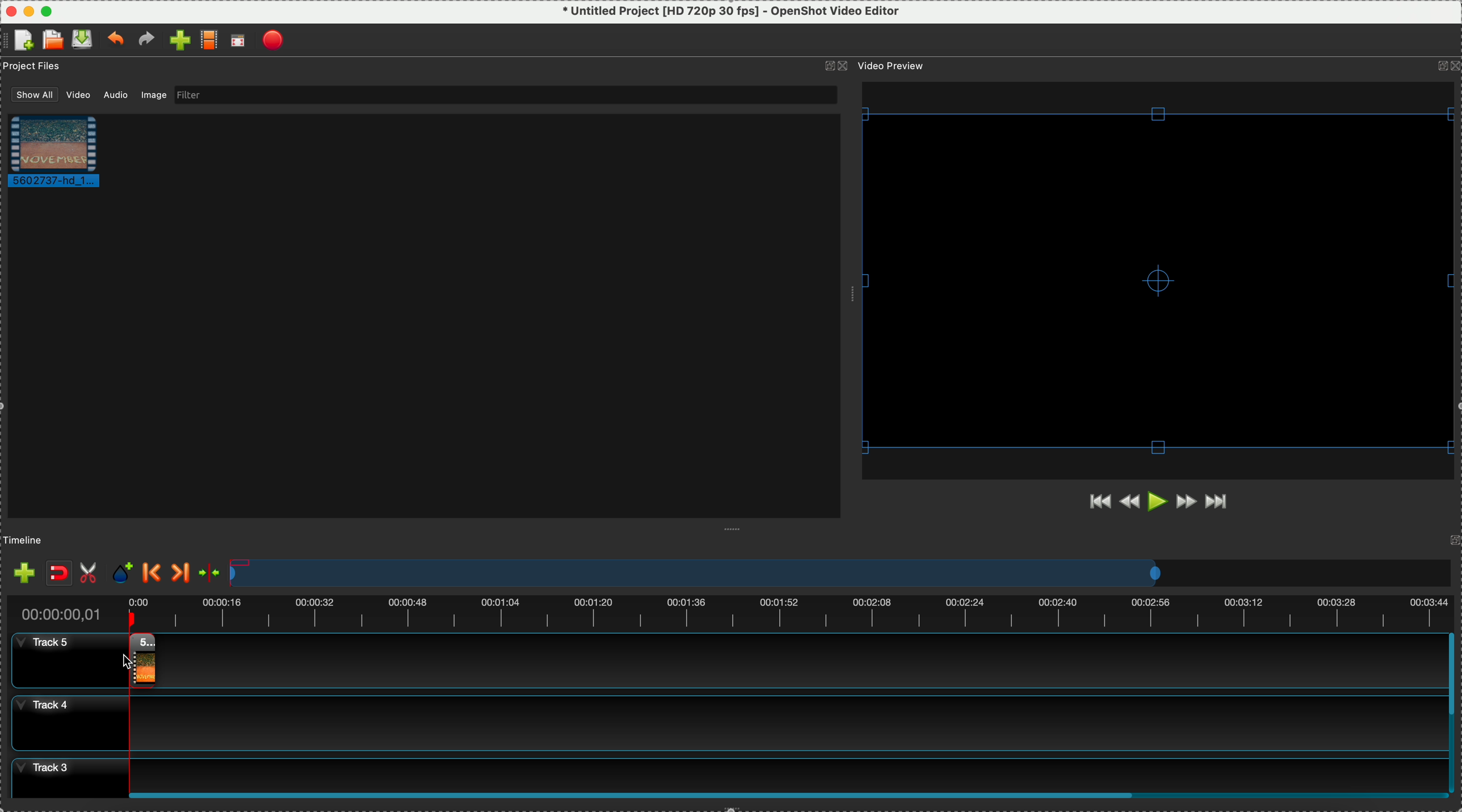 This screenshot has width=1462, height=812. What do you see at coordinates (21, 570) in the screenshot?
I see `import files` at bounding box center [21, 570].